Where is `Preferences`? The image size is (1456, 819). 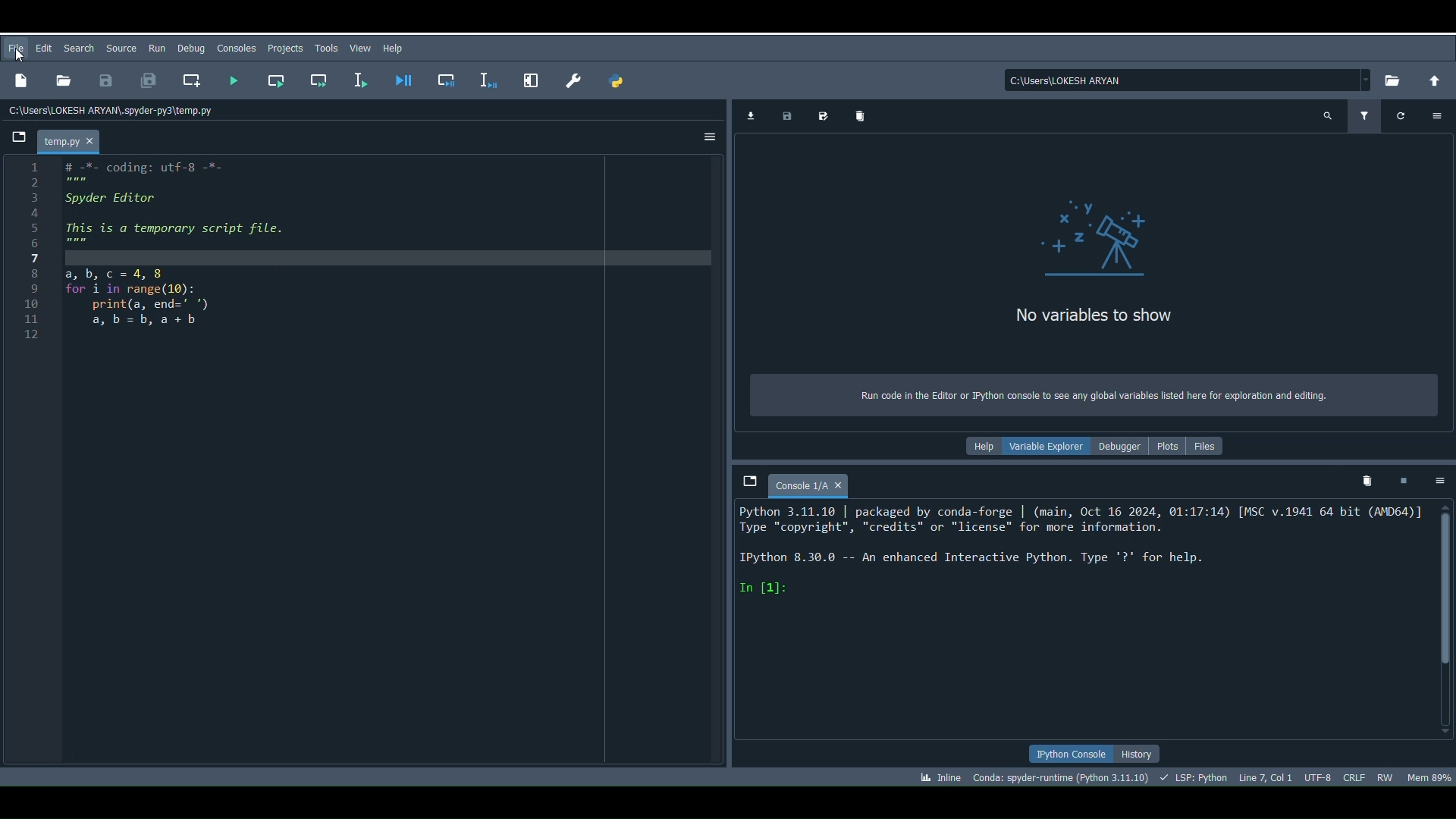
Preferences is located at coordinates (569, 76).